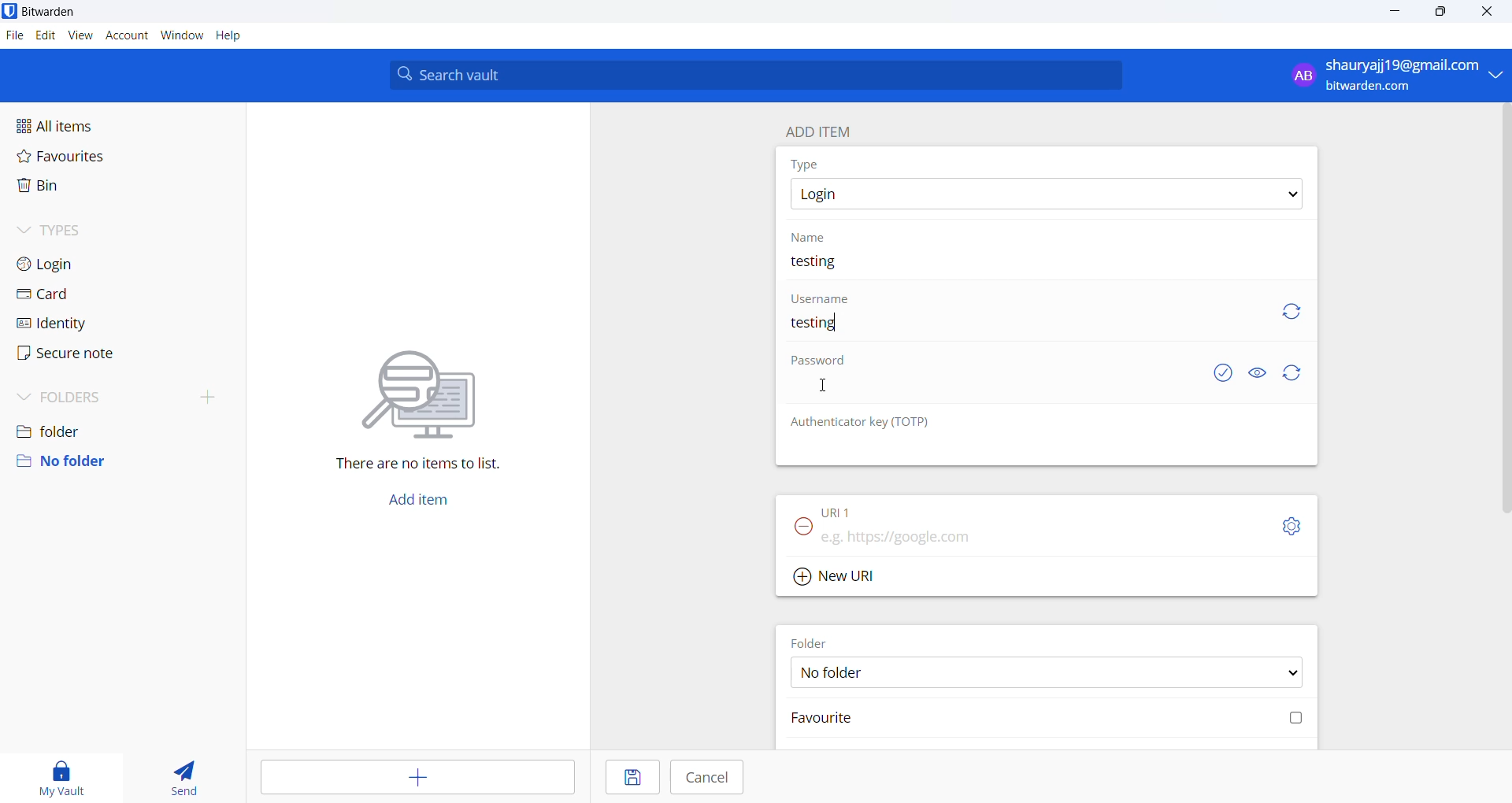 This screenshot has height=803, width=1512. What do you see at coordinates (814, 237) in the screenshot?
I see `name heading` at bounding box center [814, 237].